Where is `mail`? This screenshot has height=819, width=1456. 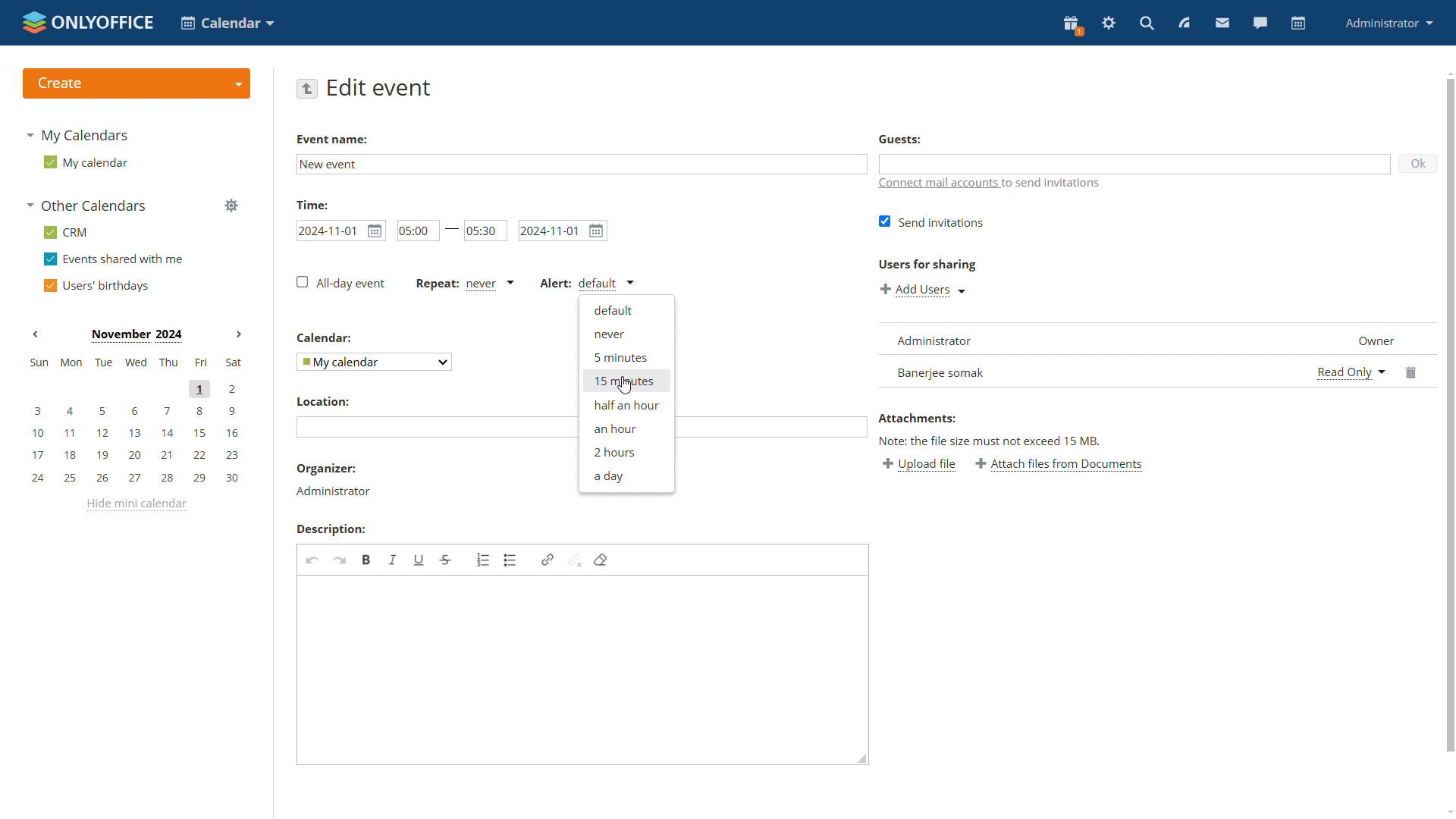
mail is located at coordinates (1221, 23).